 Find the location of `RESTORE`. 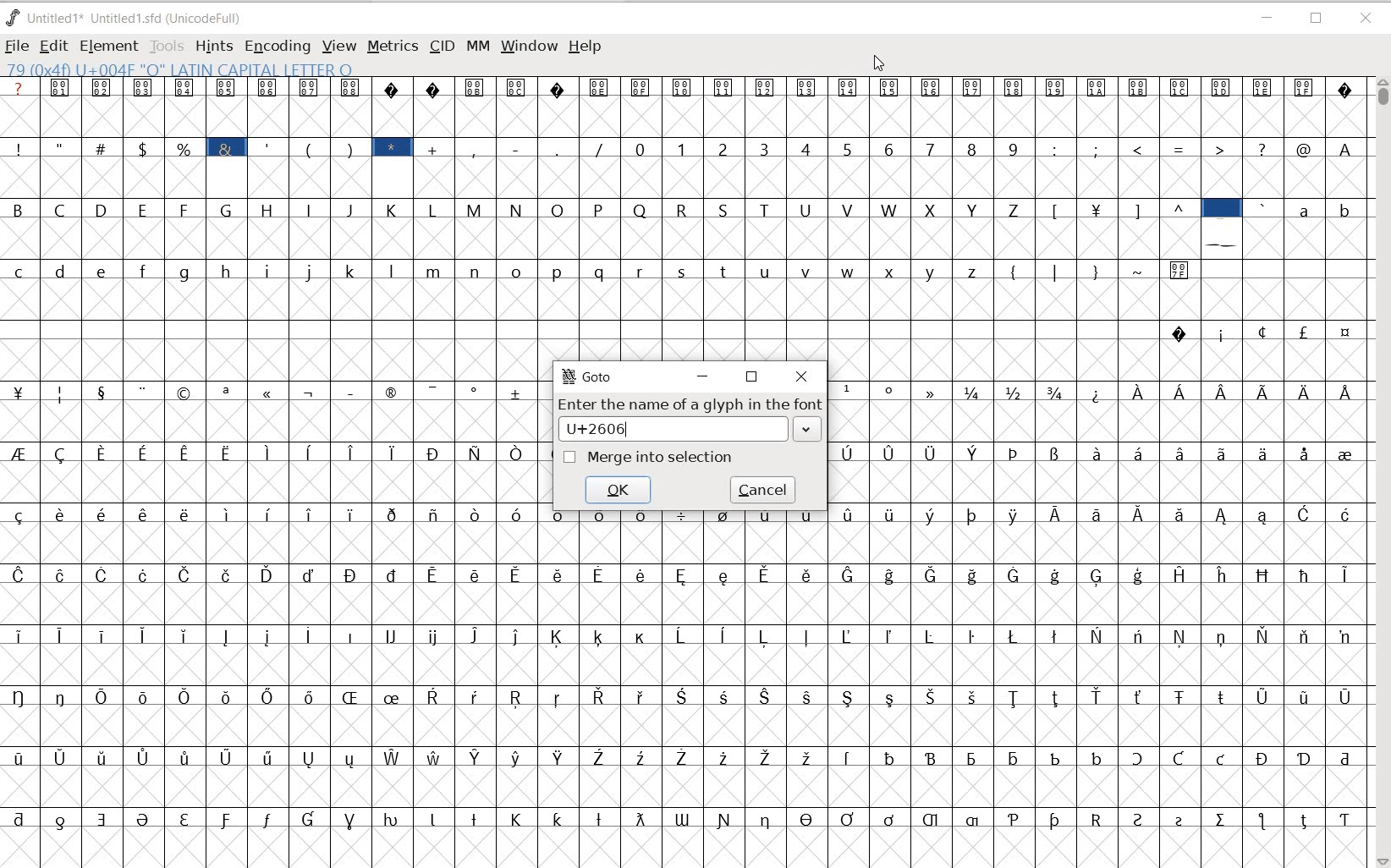

RESTORE is located at coordinates (1318, 19).